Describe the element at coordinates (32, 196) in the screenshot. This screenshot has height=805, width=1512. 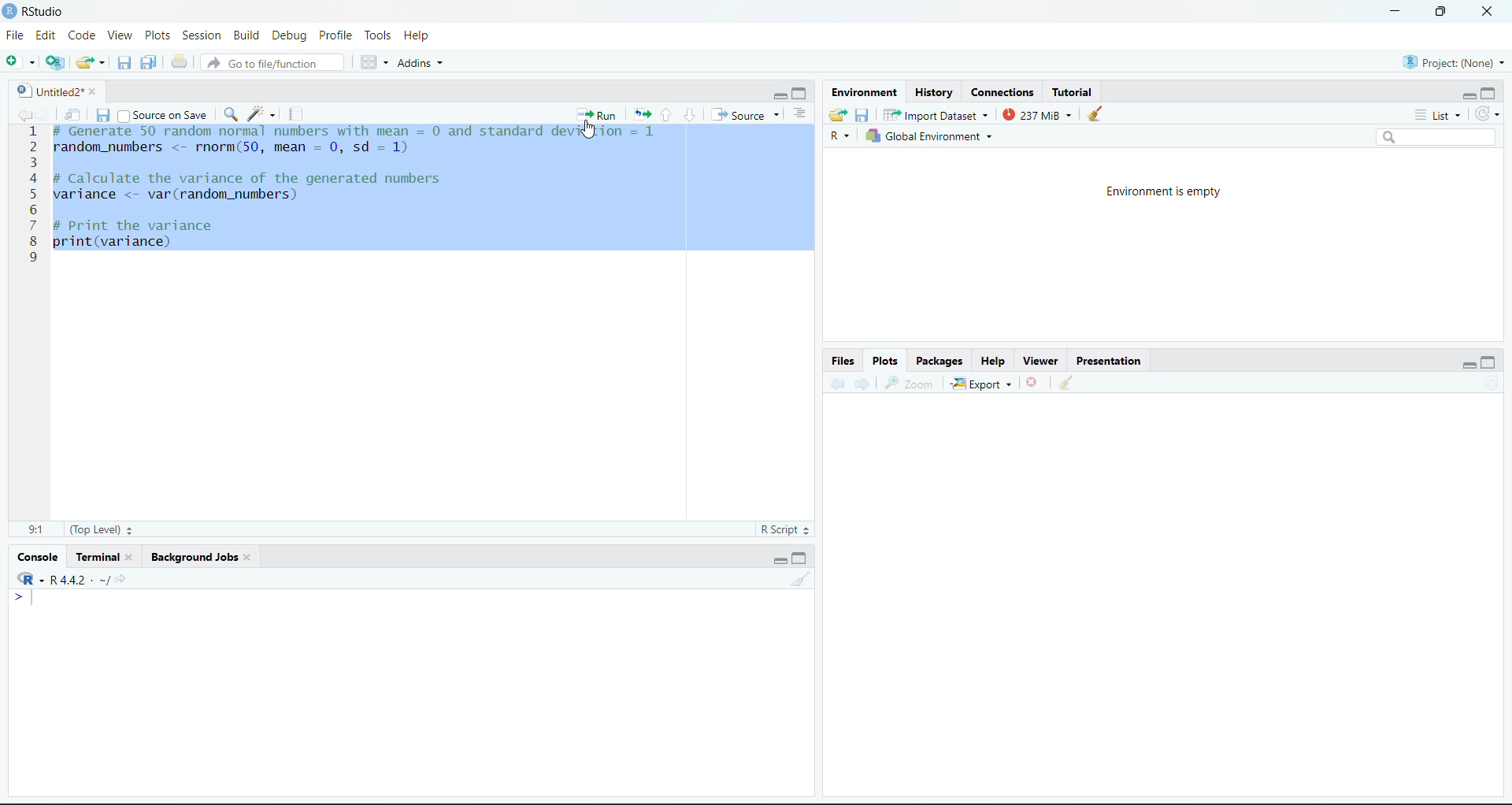
I see `line numbering ` at that location.